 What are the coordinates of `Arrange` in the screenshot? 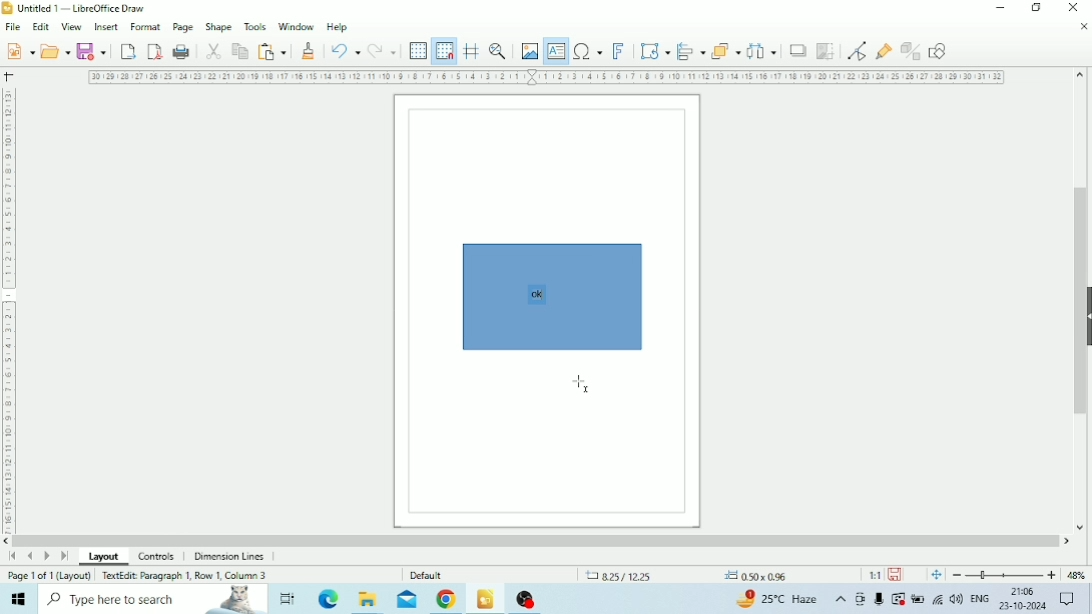 It's located at (726, 49).